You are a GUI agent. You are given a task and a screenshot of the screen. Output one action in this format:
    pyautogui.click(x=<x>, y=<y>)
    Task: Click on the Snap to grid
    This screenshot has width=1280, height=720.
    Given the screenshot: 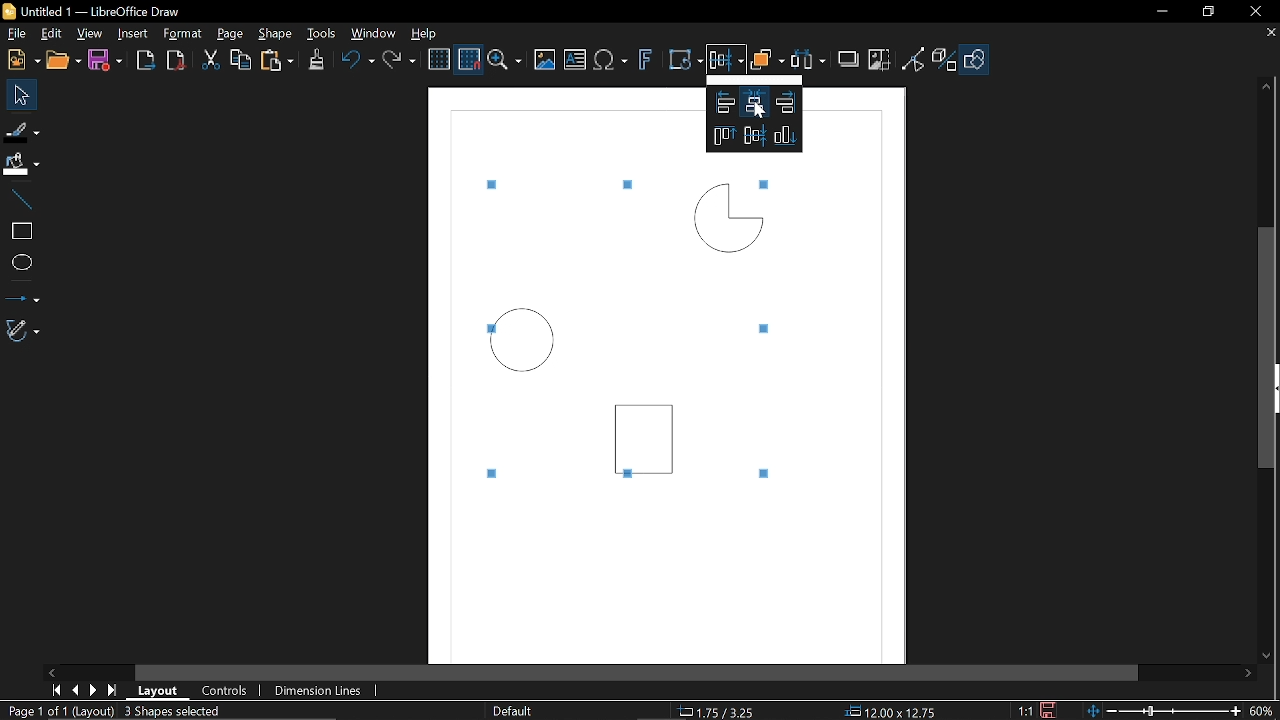 What is the action you would take?
    pyautogui.click(x=470, y=59)
    